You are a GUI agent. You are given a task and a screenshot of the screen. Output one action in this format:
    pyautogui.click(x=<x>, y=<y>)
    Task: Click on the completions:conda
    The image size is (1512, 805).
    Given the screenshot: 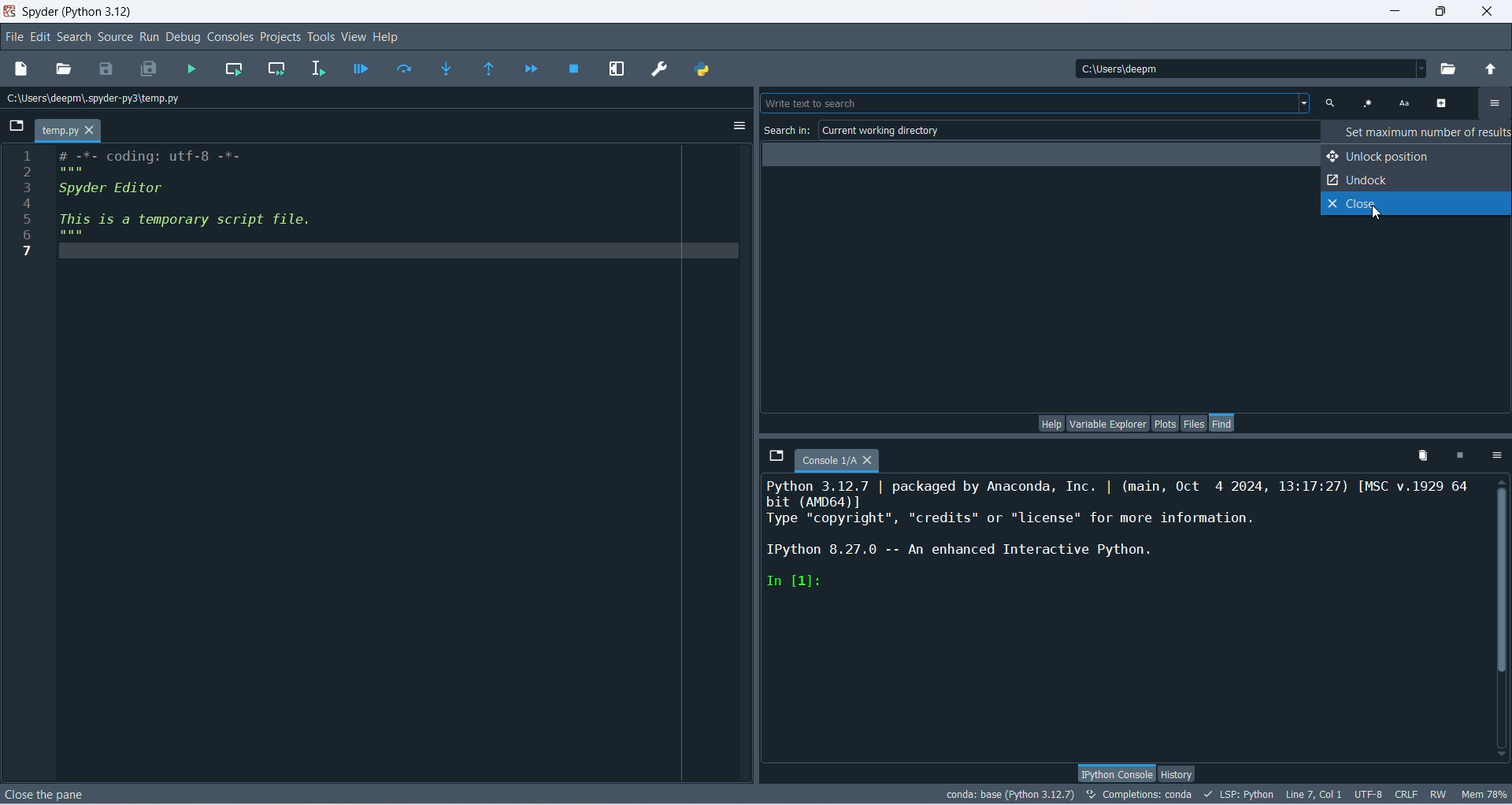 What is the action you would take?
    pyautogui.click(x=1140, y=794)
    